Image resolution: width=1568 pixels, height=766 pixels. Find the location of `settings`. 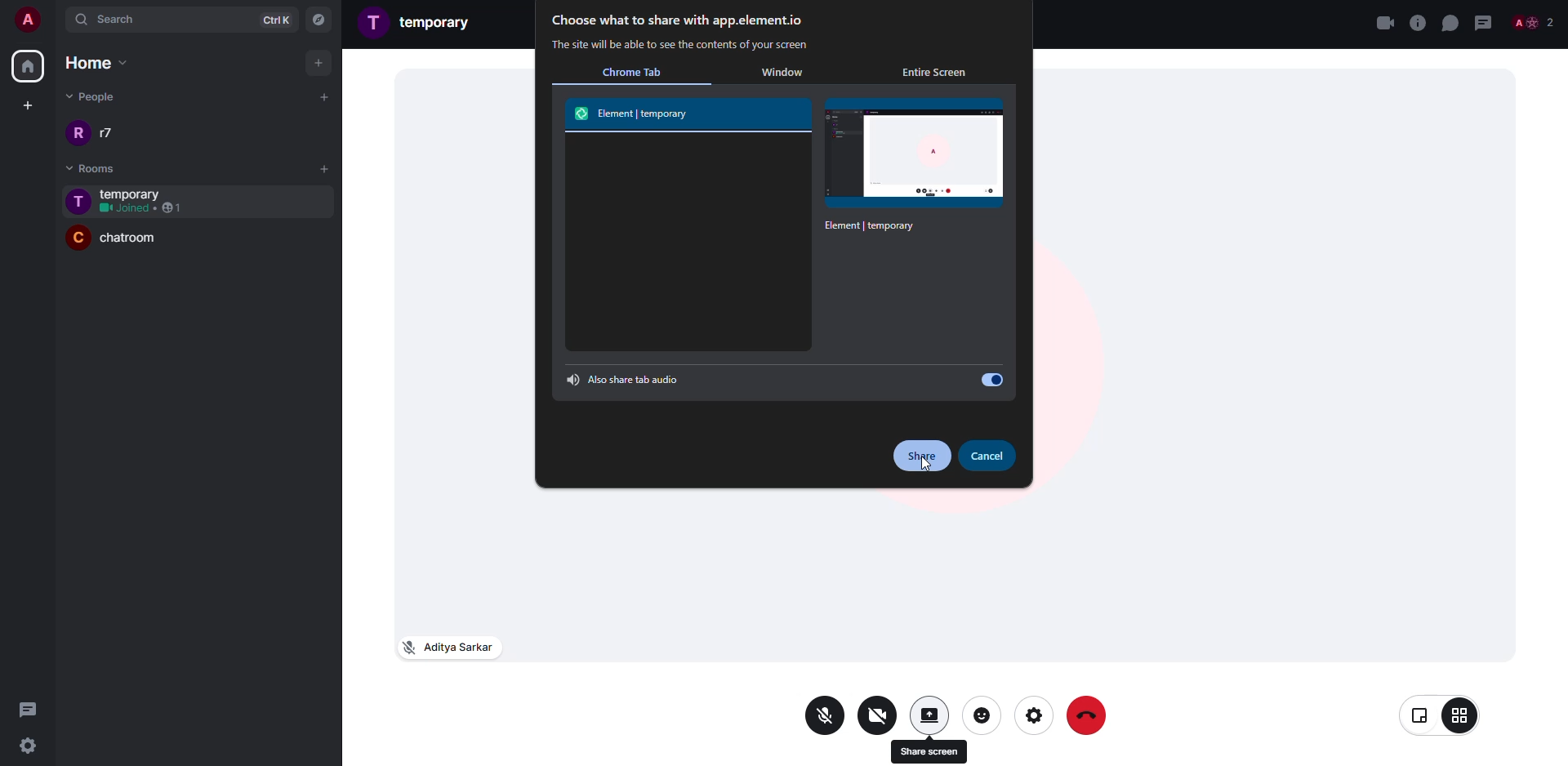

settings is located at coordinates (1032, 715).